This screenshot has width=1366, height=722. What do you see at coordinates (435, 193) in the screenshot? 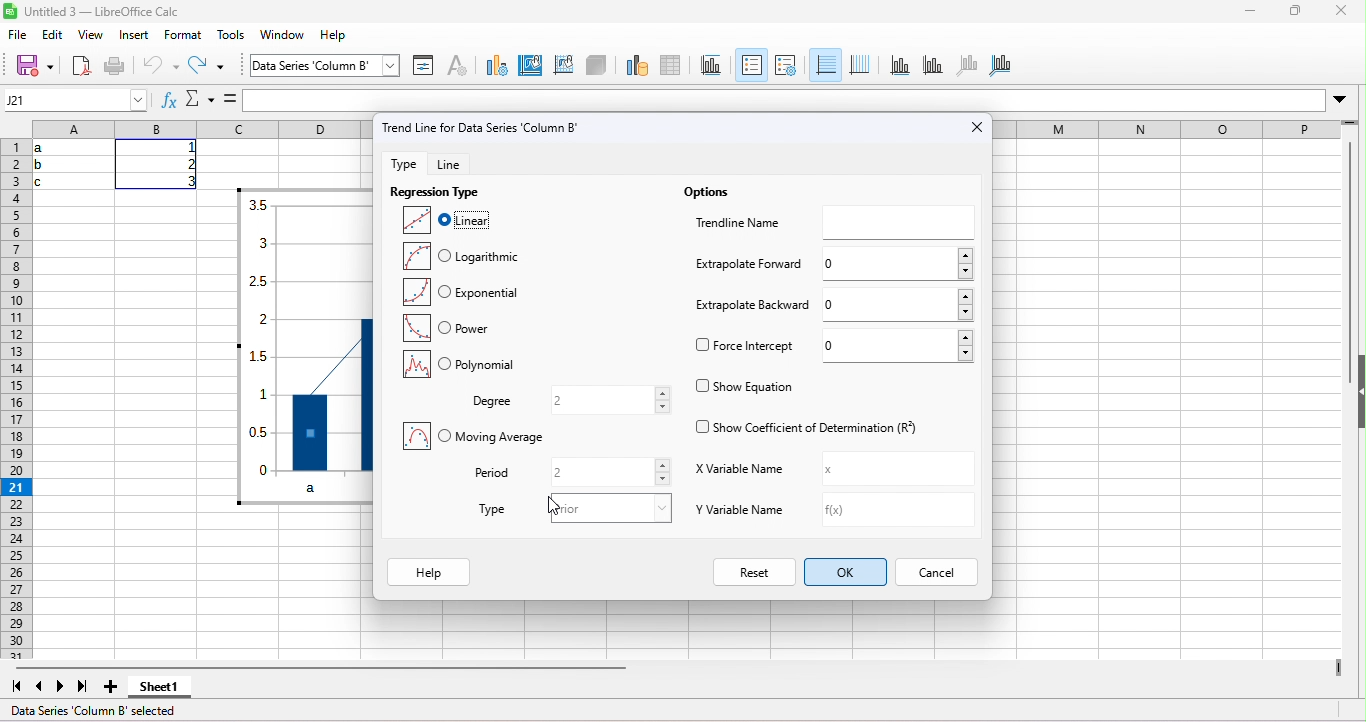
I see `regression type` at bounding box center [435, 193].